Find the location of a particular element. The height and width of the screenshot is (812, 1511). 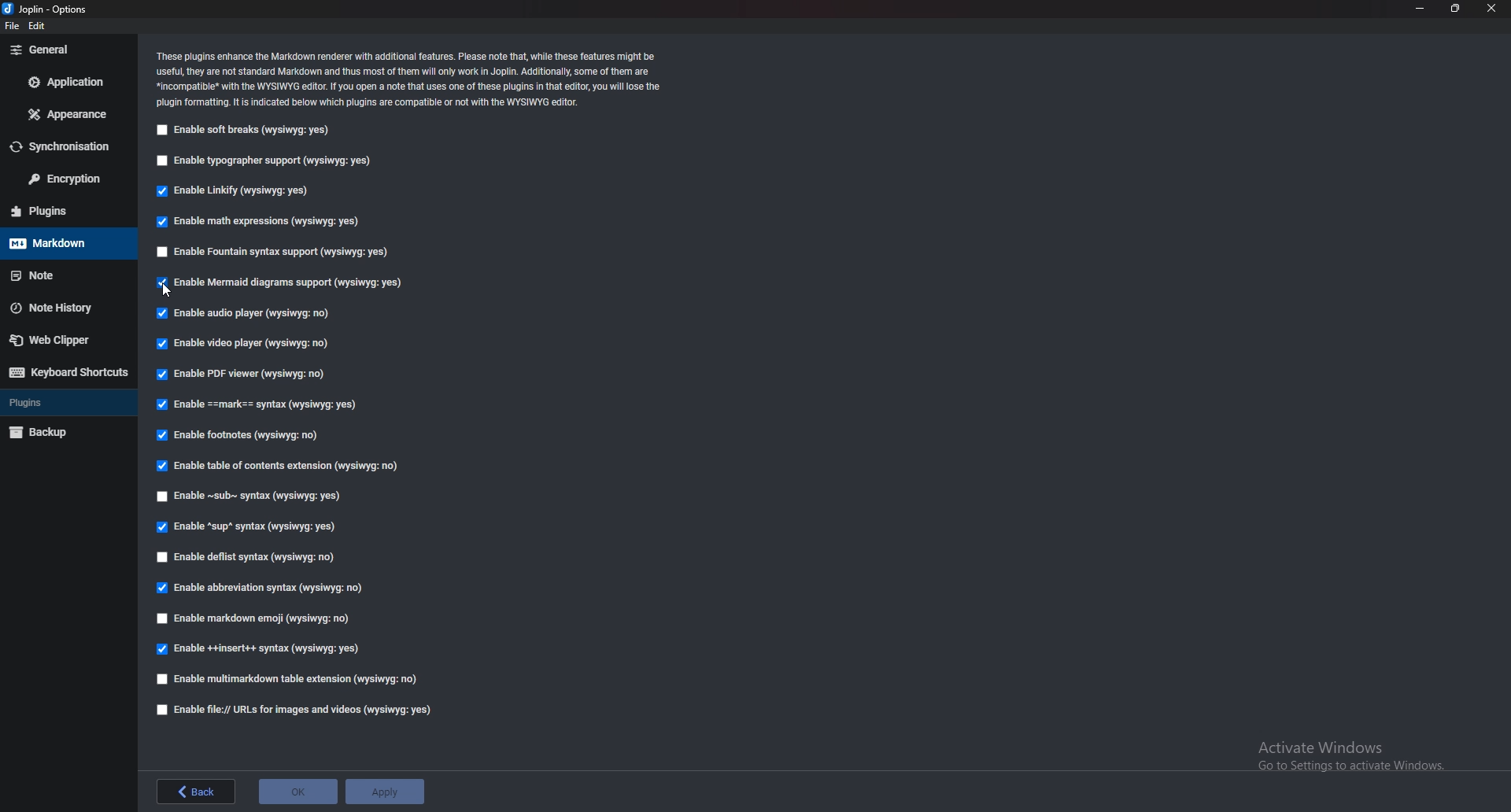

enable soft breaks is located at coordinates (248, 130).